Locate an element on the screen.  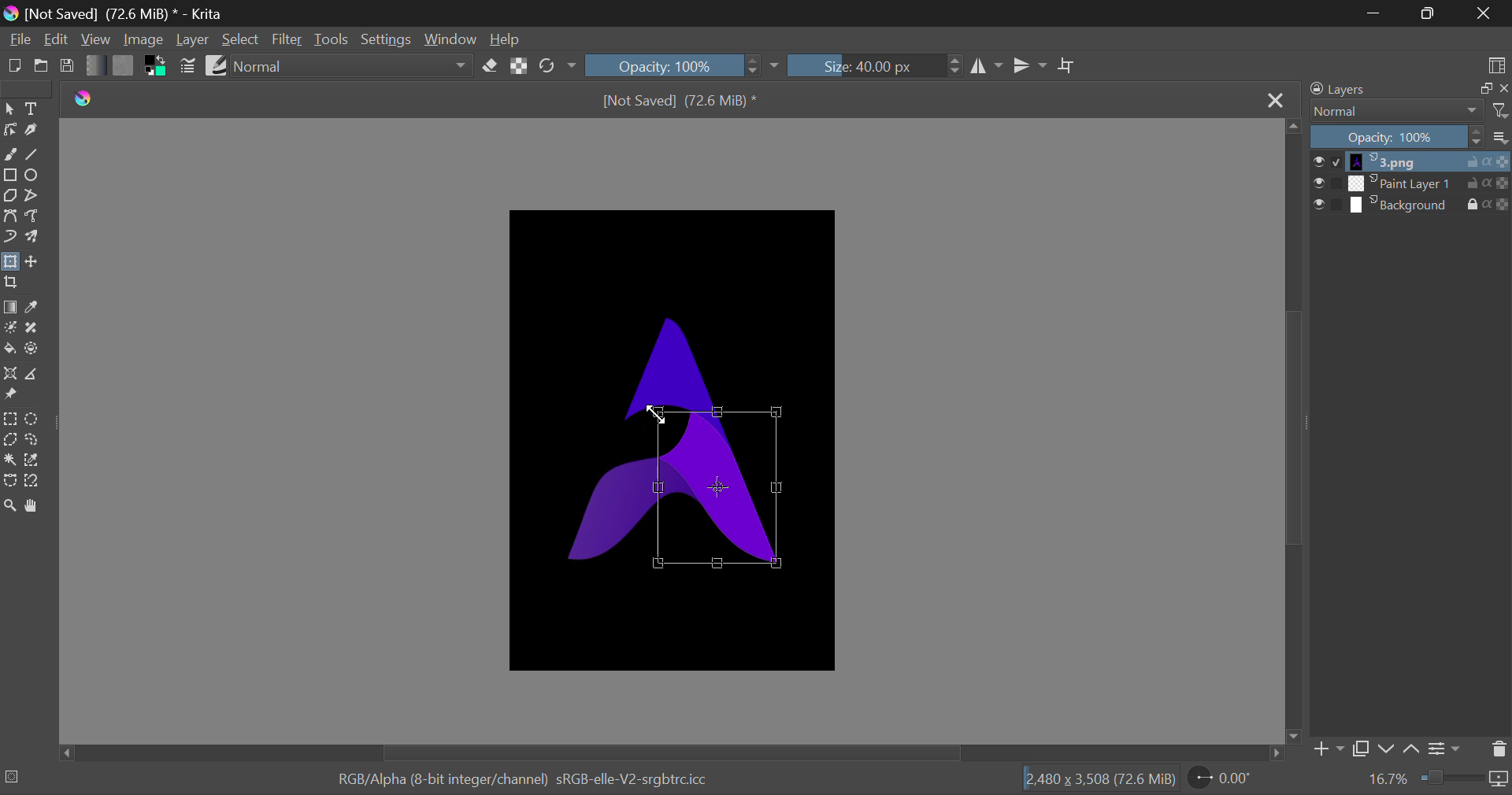
Erase is located at coordinates (491, 66).